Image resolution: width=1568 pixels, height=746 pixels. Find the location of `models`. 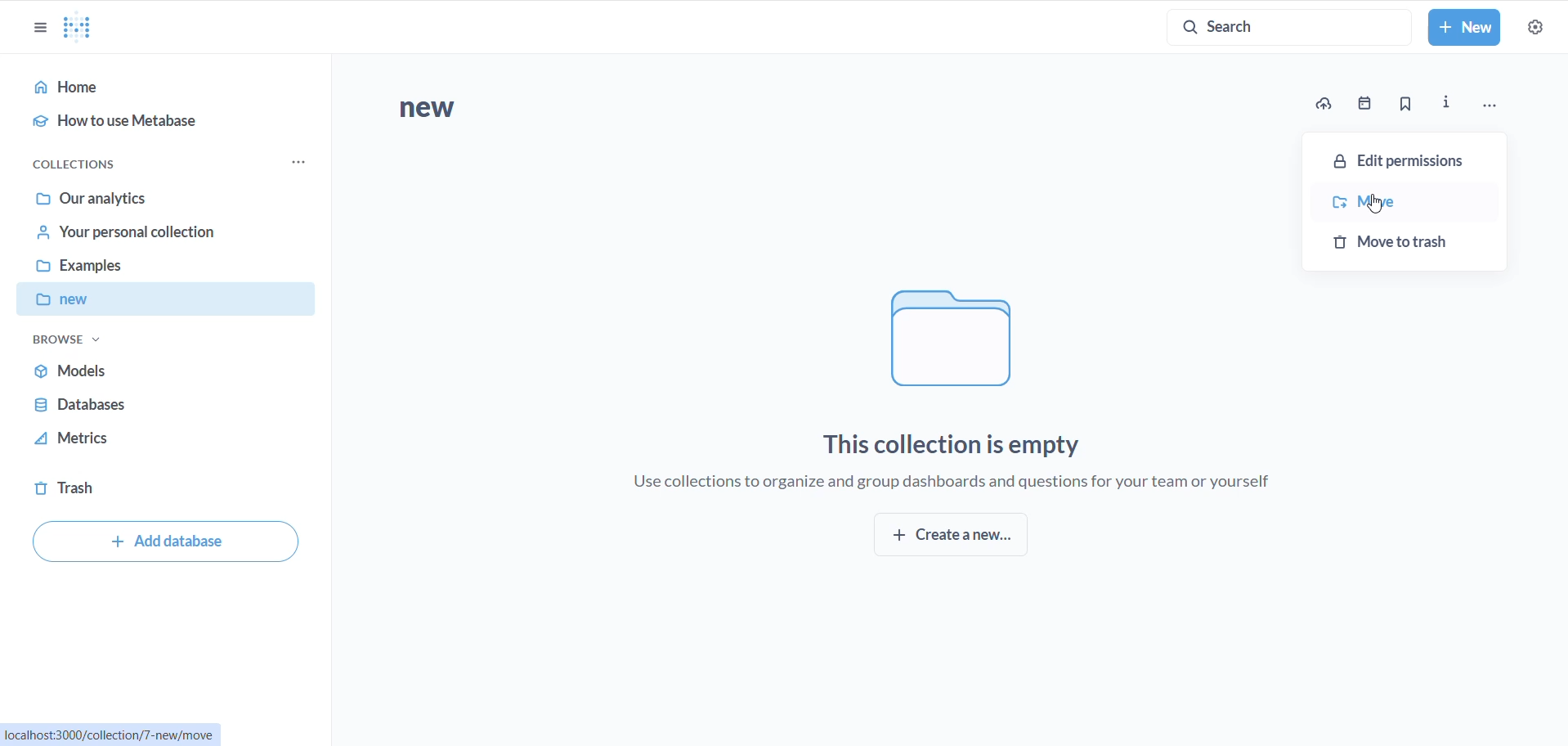

models is located at coordinates (135, 370).